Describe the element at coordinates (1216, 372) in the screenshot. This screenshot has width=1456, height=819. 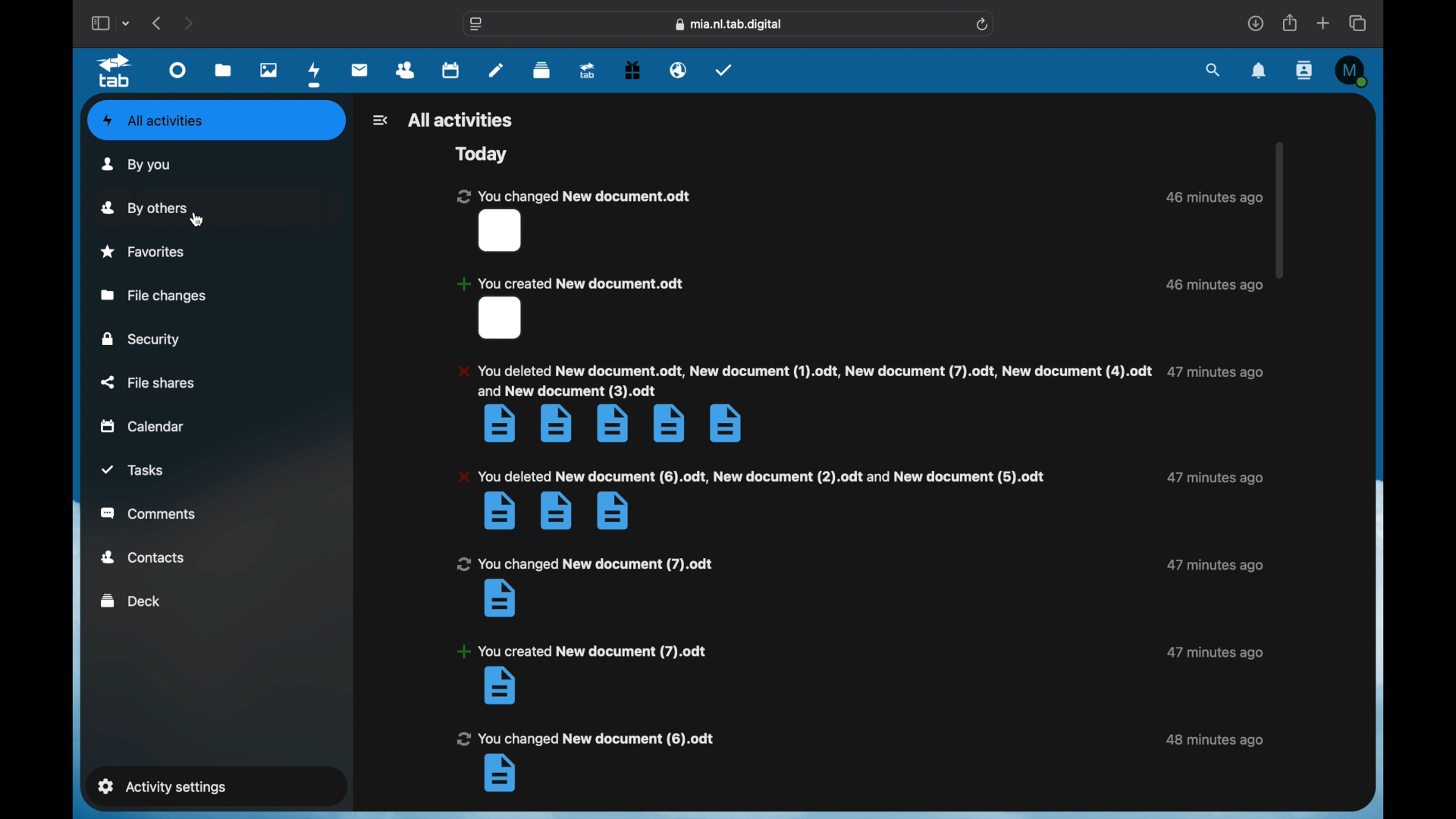
I see `47 minutes ago` at that location.